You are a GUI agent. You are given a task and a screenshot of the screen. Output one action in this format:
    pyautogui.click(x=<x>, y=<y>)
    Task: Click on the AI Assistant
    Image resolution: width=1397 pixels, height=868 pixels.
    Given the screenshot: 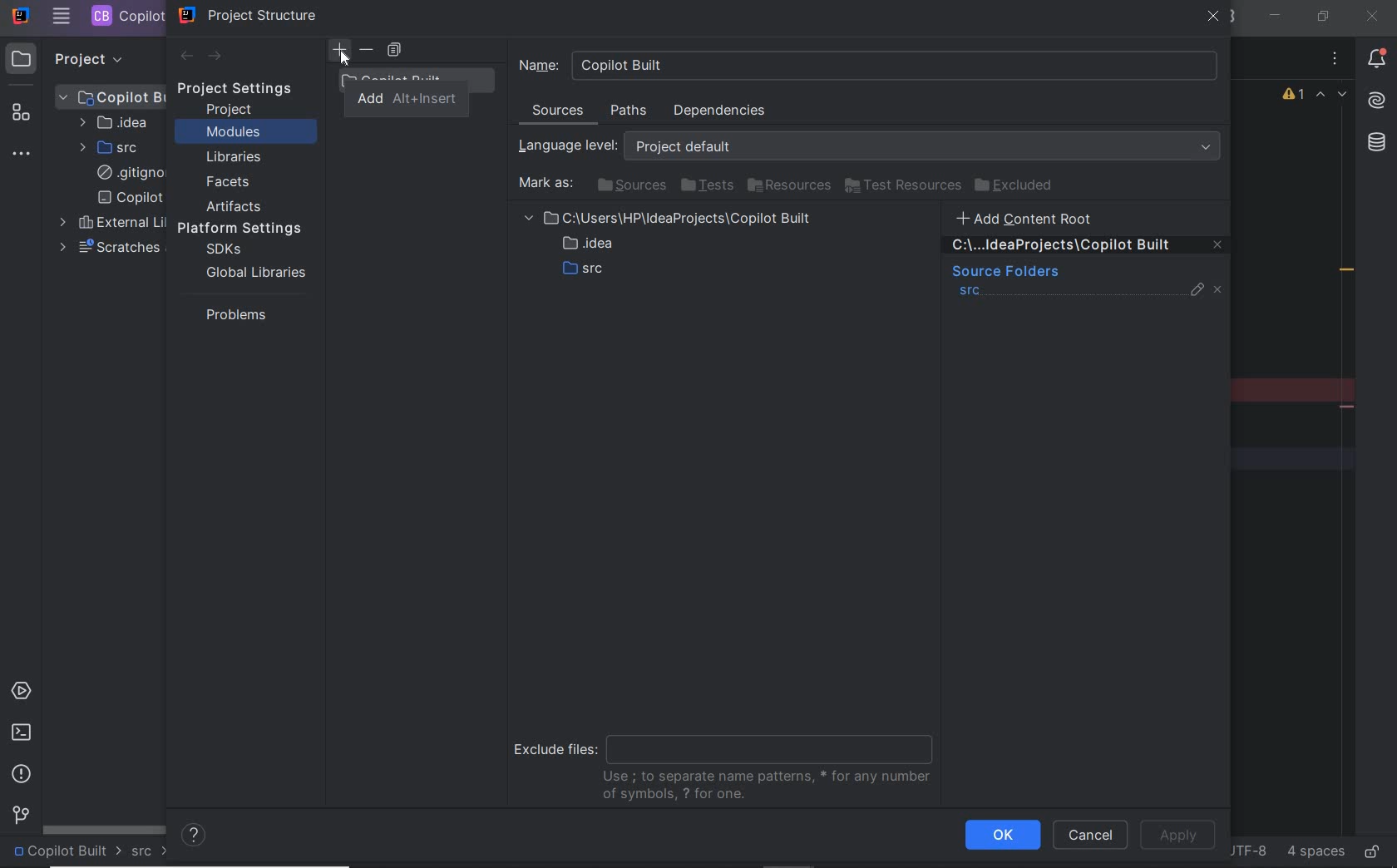 What is the action you would take?
    pyautogui.click(x=1375, y=101)
    